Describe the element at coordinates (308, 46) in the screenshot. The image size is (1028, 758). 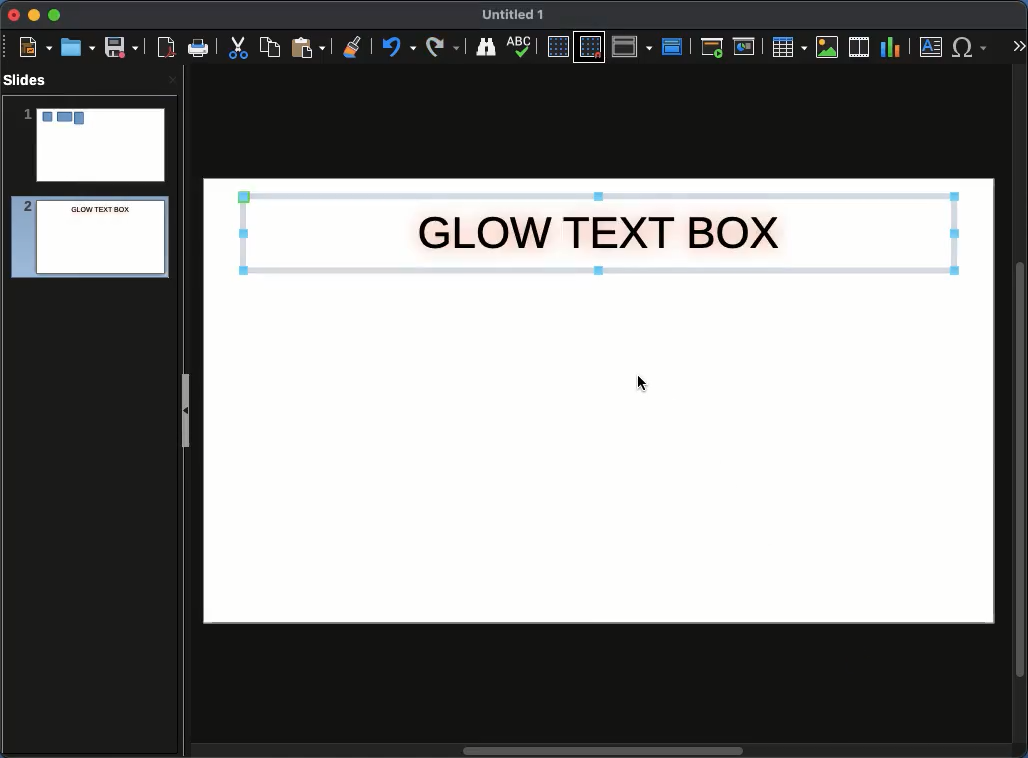
I see `Paste` at that location.